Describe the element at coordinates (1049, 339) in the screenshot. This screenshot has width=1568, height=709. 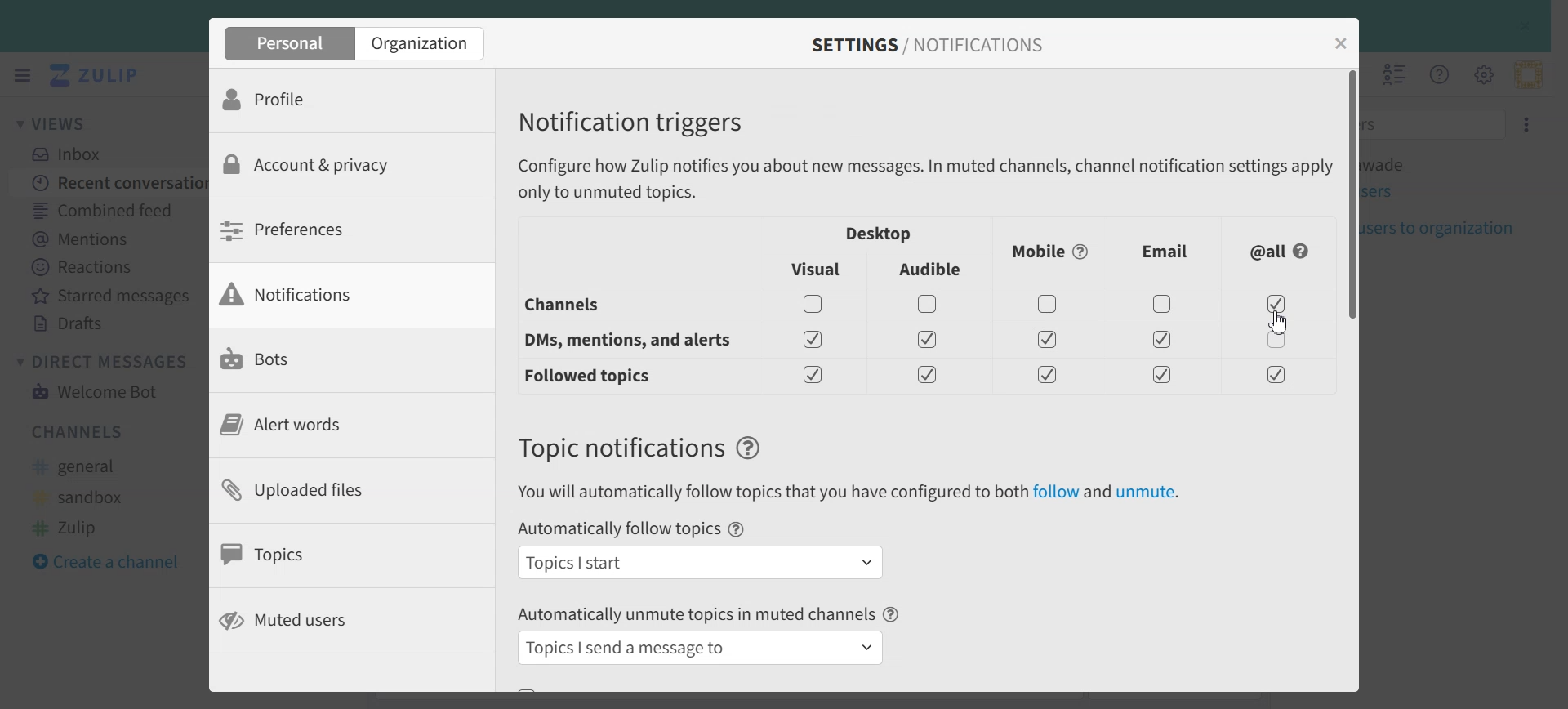
I see `Enable/ Disable toggles` at that location.